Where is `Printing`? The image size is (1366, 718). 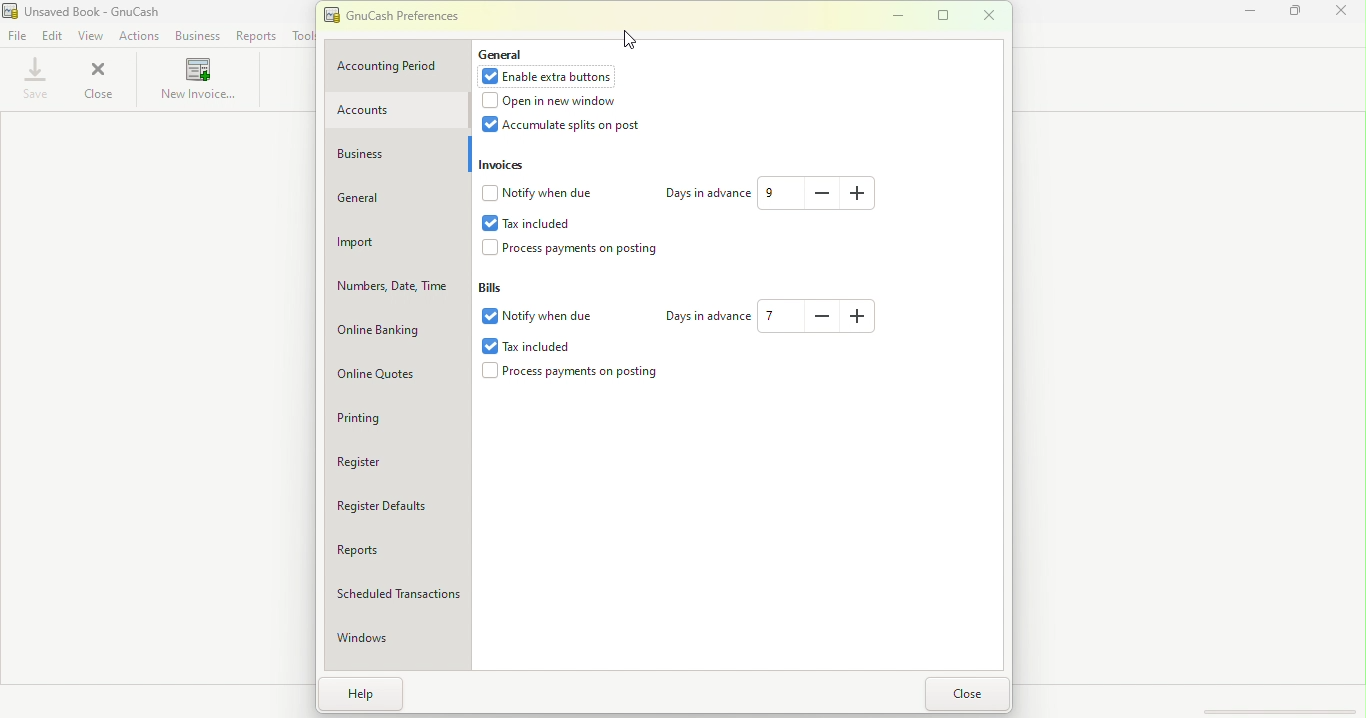 Printing is located at coordinates (400, 417).